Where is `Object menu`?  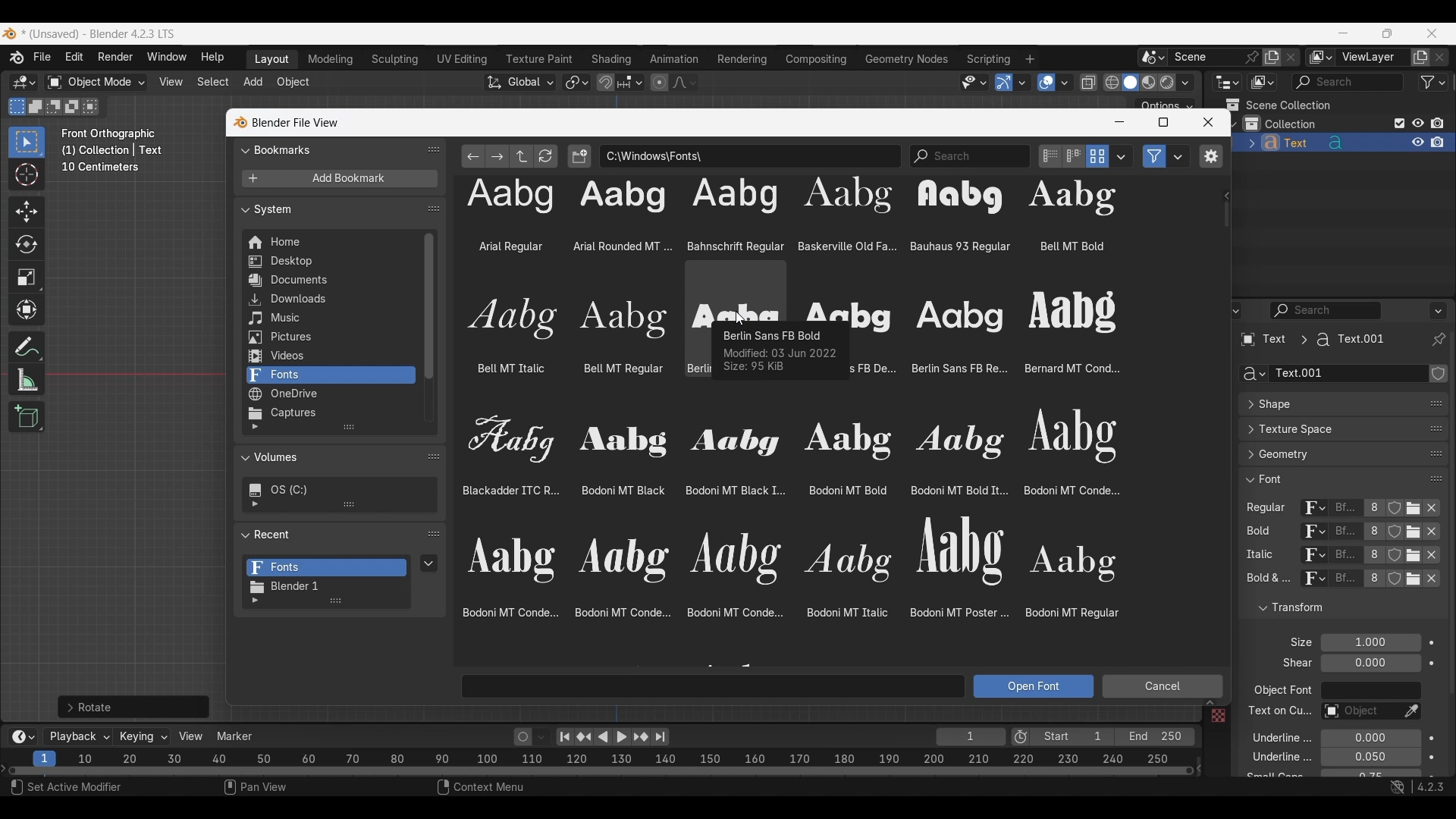
Object menu is located at coordinates (294, 83).